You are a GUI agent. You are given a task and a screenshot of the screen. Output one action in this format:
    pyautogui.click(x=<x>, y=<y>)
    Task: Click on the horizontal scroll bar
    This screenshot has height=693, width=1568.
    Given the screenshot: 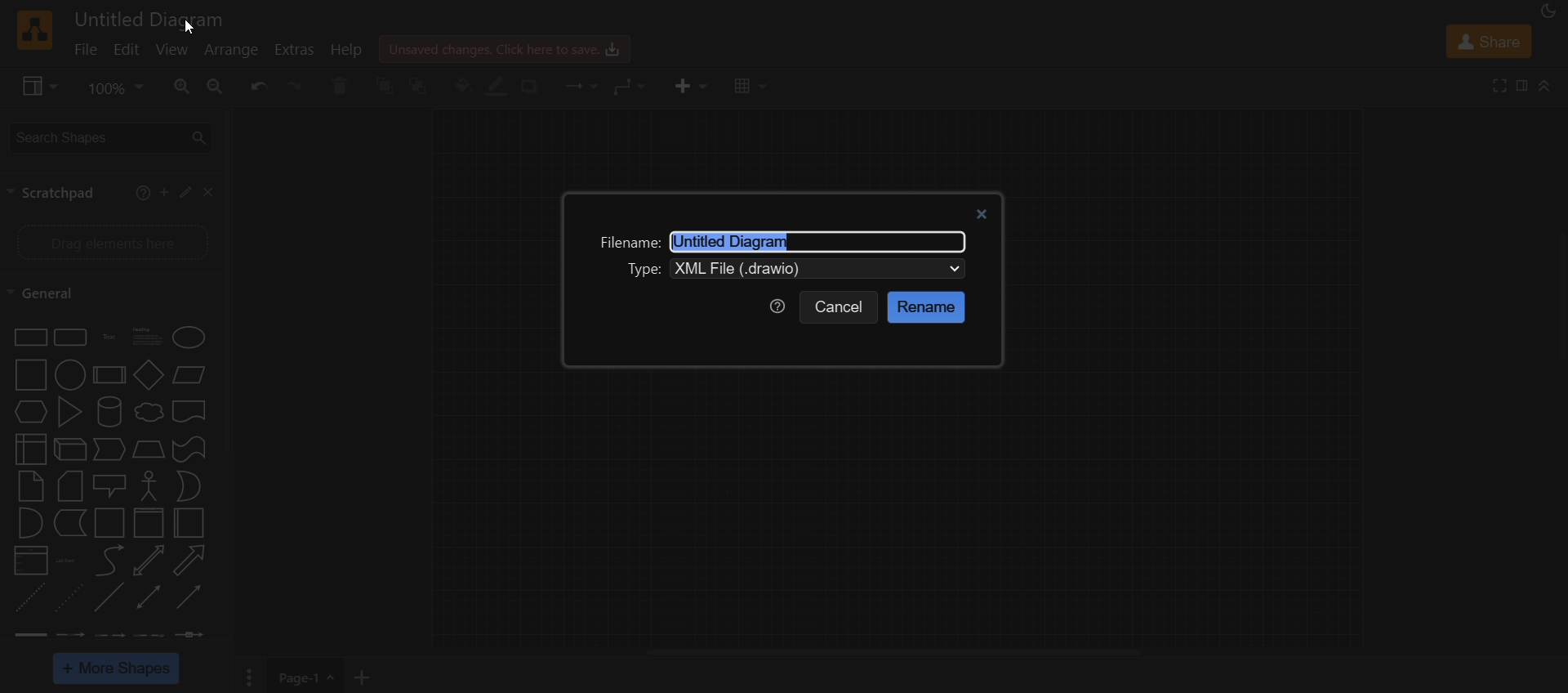 What is the action you would take?
    pyautogui.click(x=893, y=654)
    